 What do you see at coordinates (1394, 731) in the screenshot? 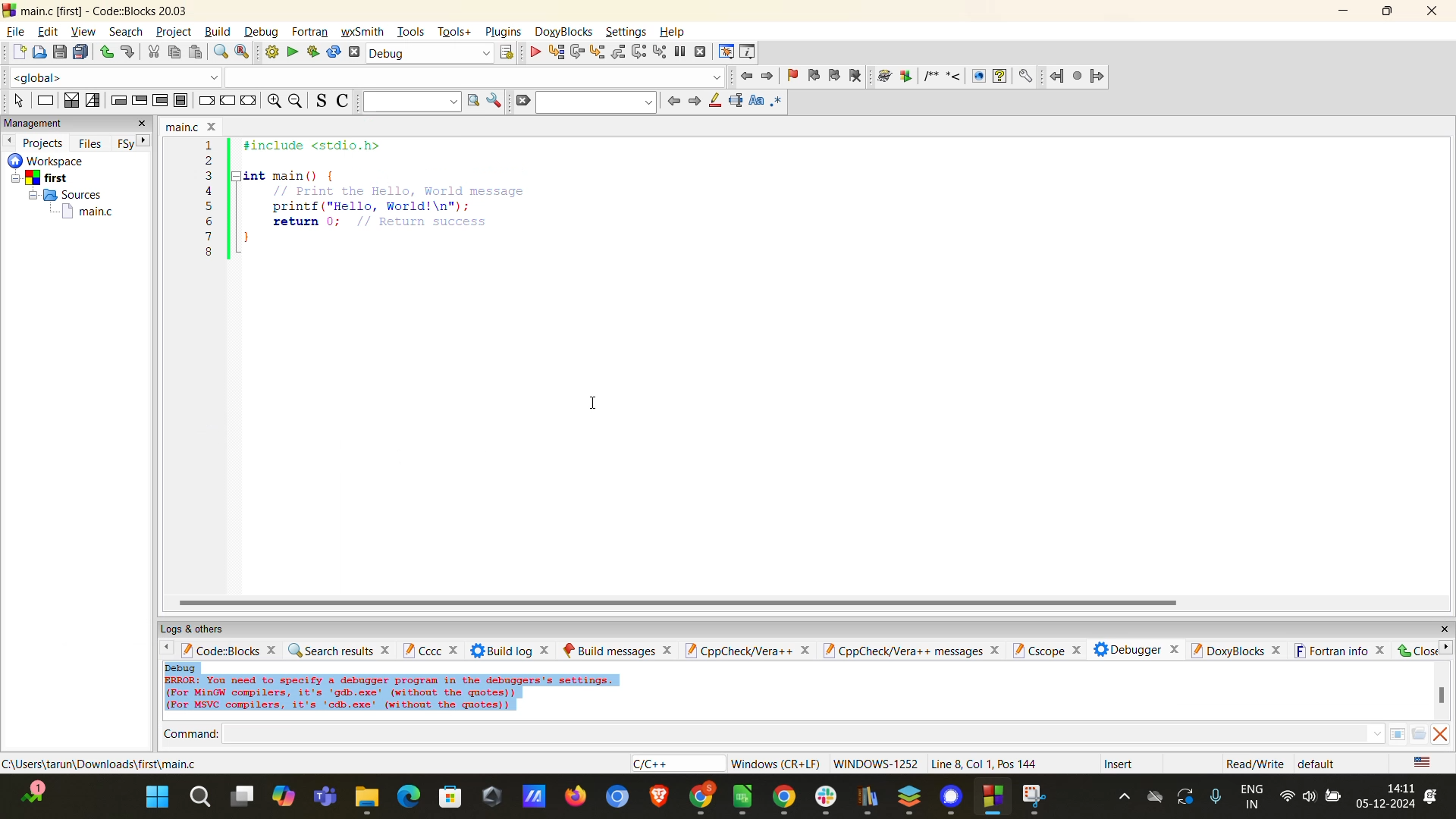
I see `pane` at bounding box center [1394, 731].